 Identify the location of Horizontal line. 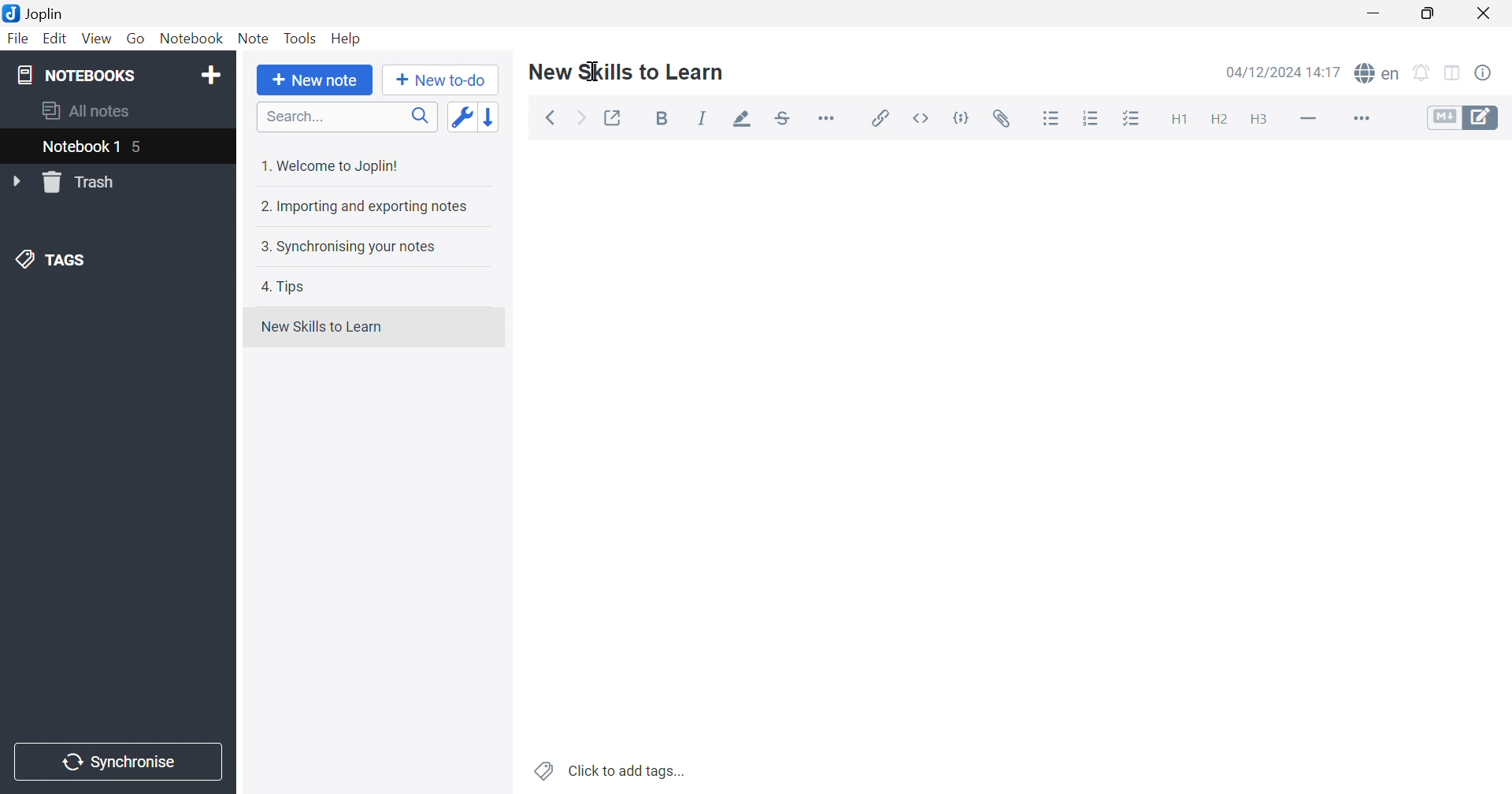
(1310, 117).